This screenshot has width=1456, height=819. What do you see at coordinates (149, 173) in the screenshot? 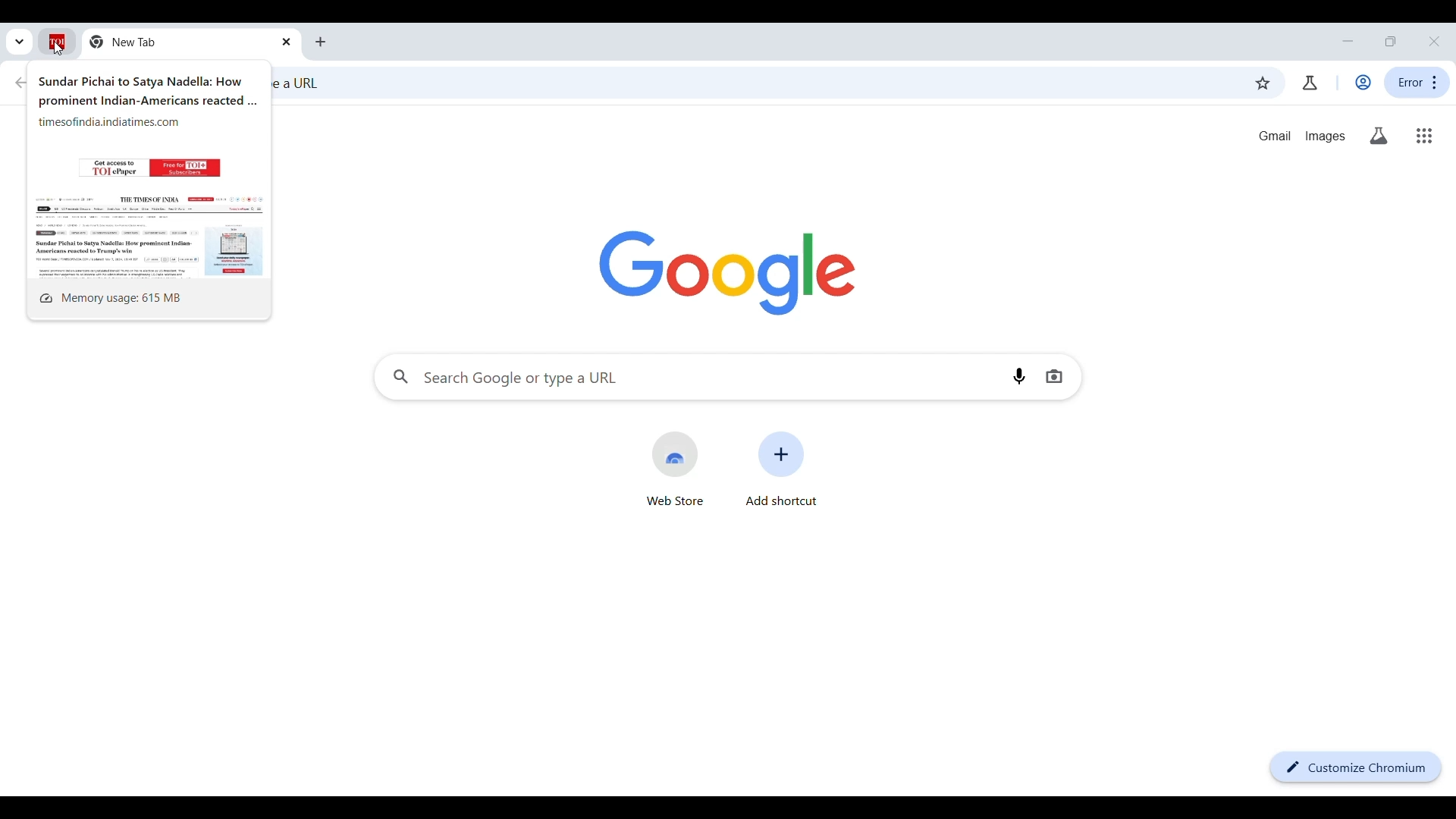
I see `Mini view of pinned tab` at bounding box center [149, 173].